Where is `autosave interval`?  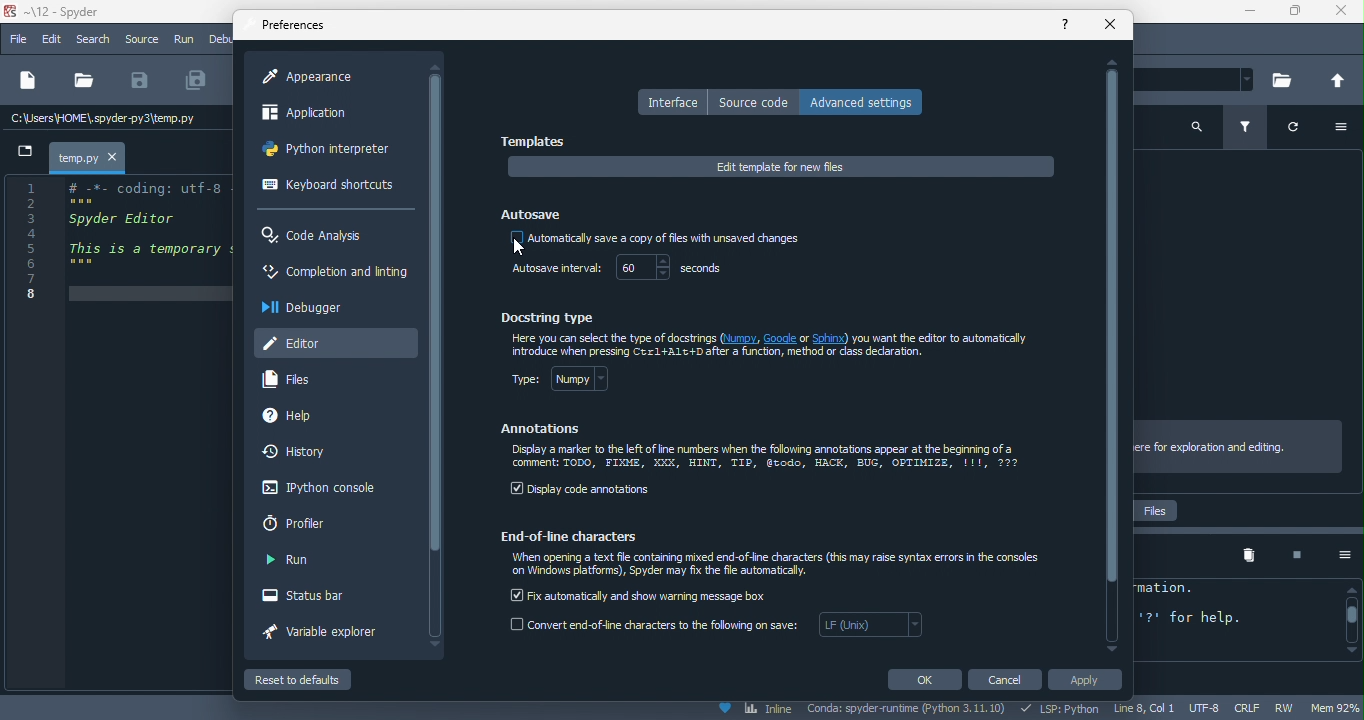 autosave interval is located at coordinates (553, 270).